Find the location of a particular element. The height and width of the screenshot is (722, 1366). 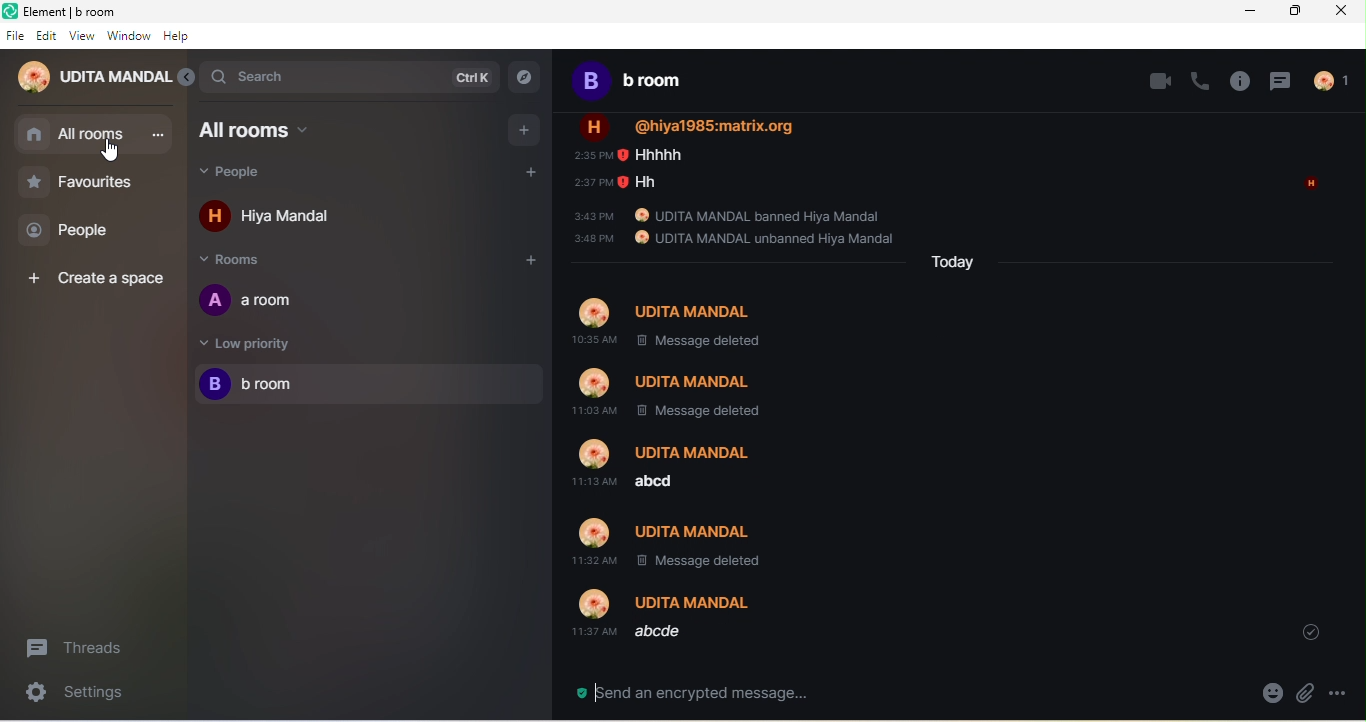

b room is located at coordinates (648, 83).